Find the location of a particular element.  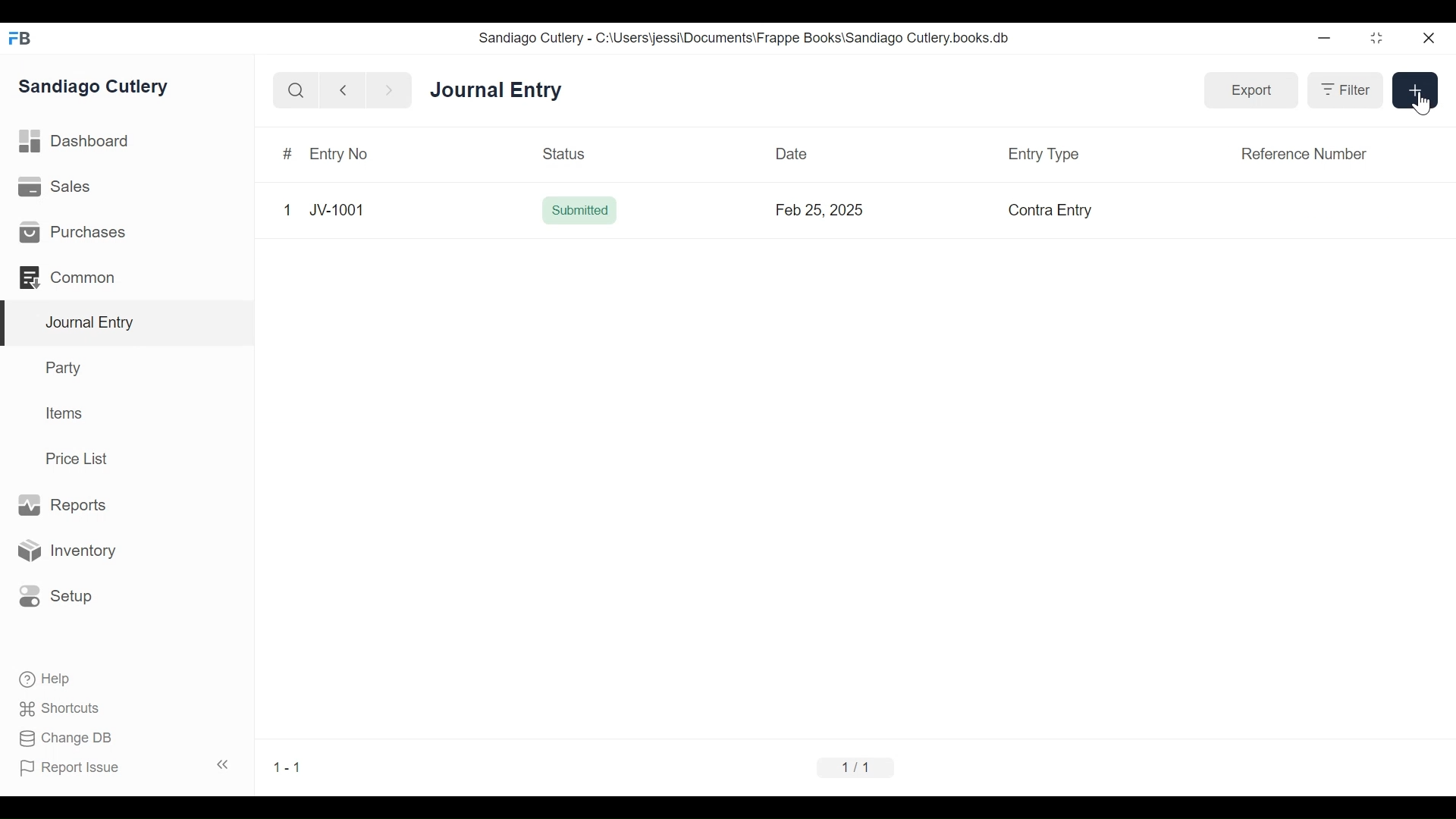

Common is located at coordinates (68, 276).